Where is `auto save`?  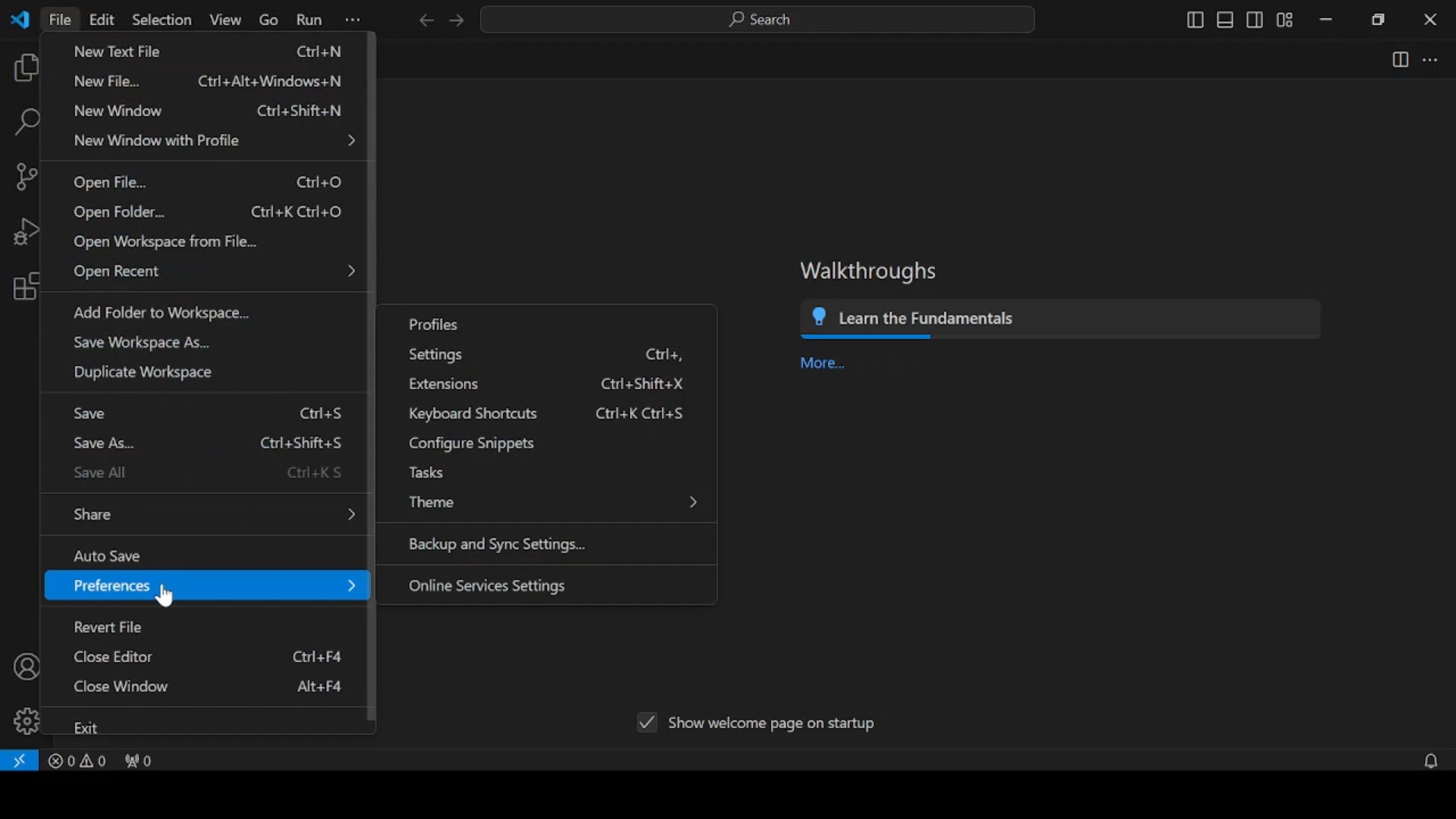 auto save is located at coordinates (108, 555).